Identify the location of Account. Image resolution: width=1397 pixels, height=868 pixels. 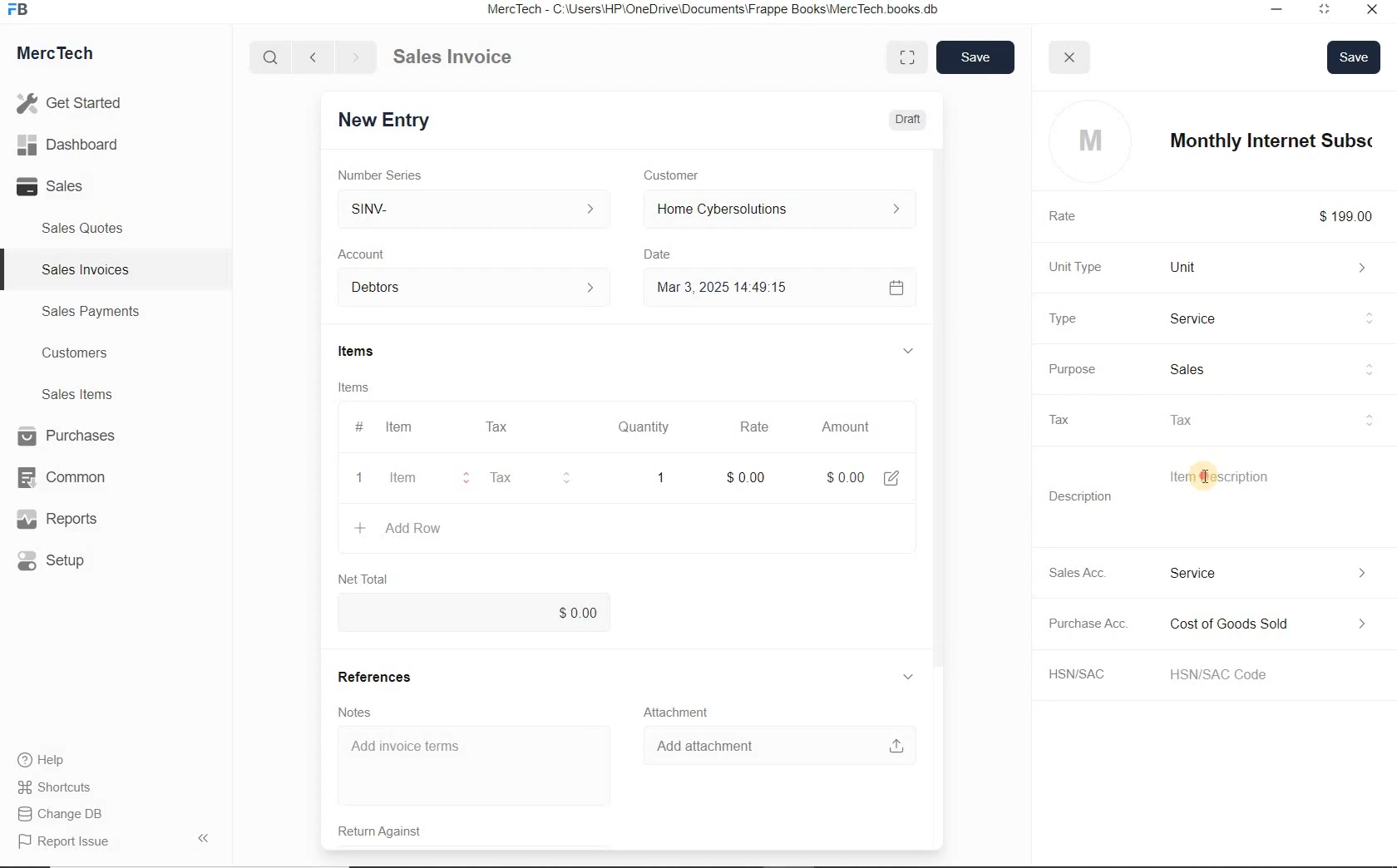
(367, 254).